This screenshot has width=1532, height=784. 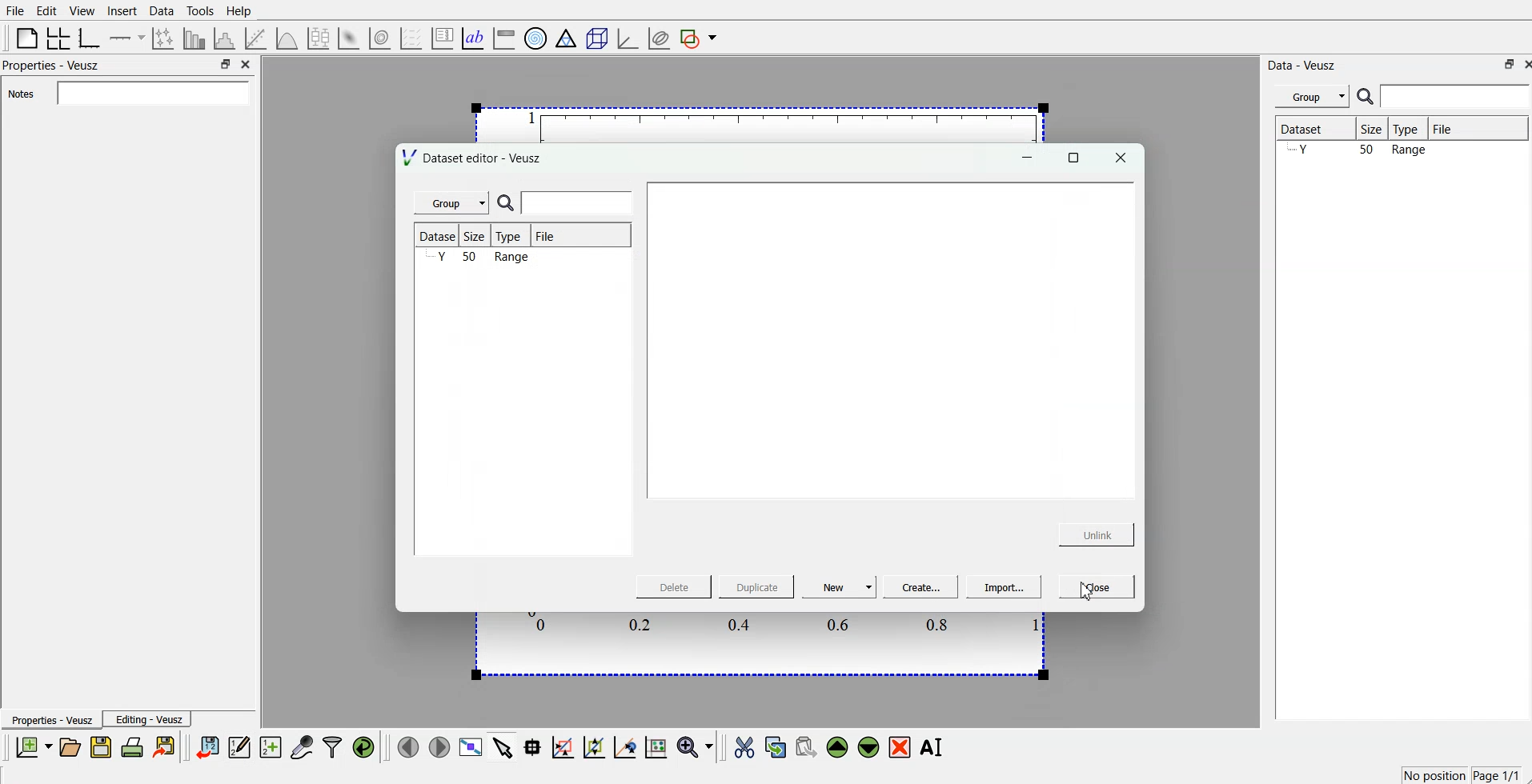 I want to click on Group, so click(x=457, y=203).